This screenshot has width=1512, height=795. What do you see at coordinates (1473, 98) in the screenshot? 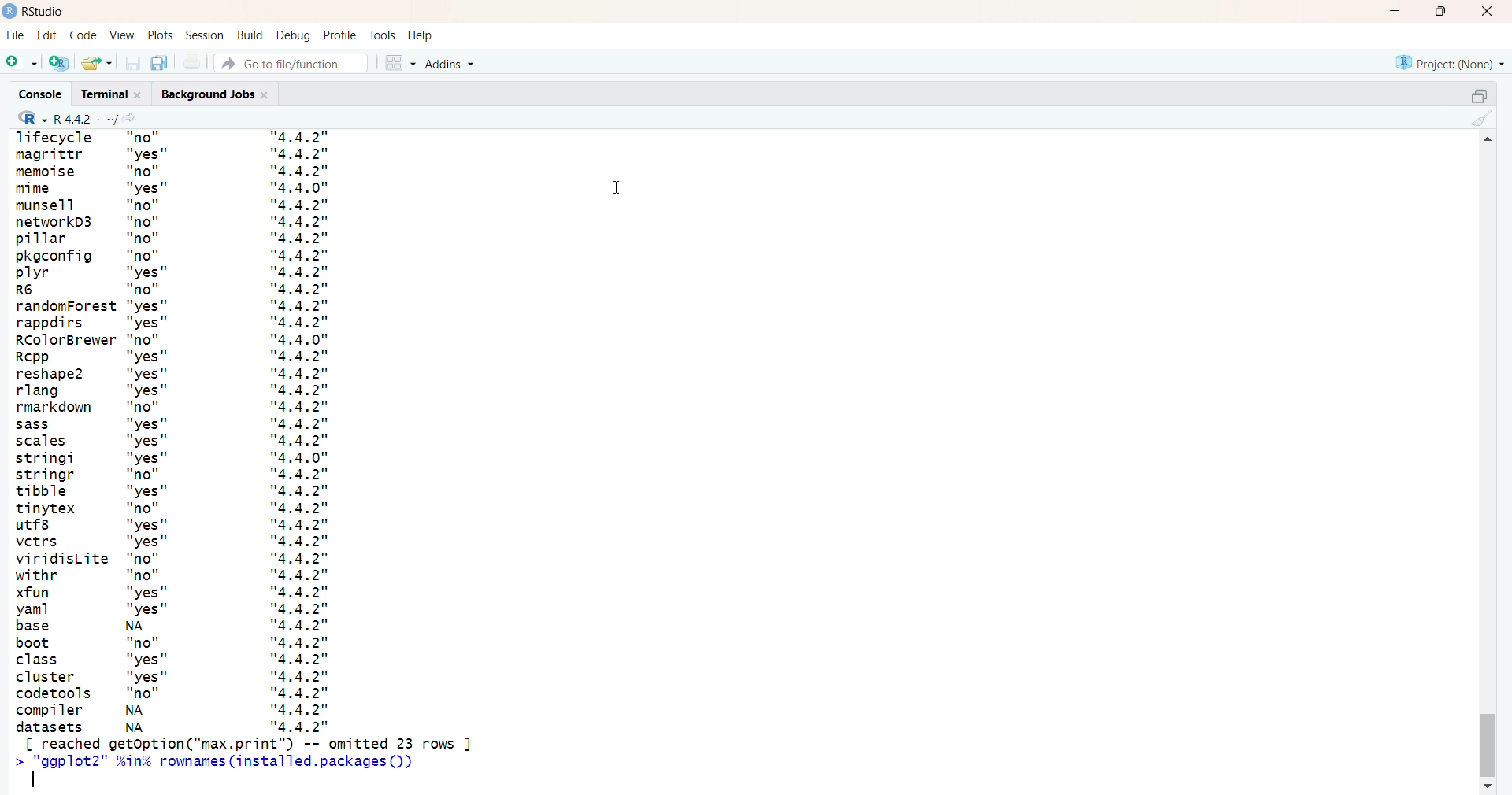
I see `collapse` at bounding box center [1473, 98].